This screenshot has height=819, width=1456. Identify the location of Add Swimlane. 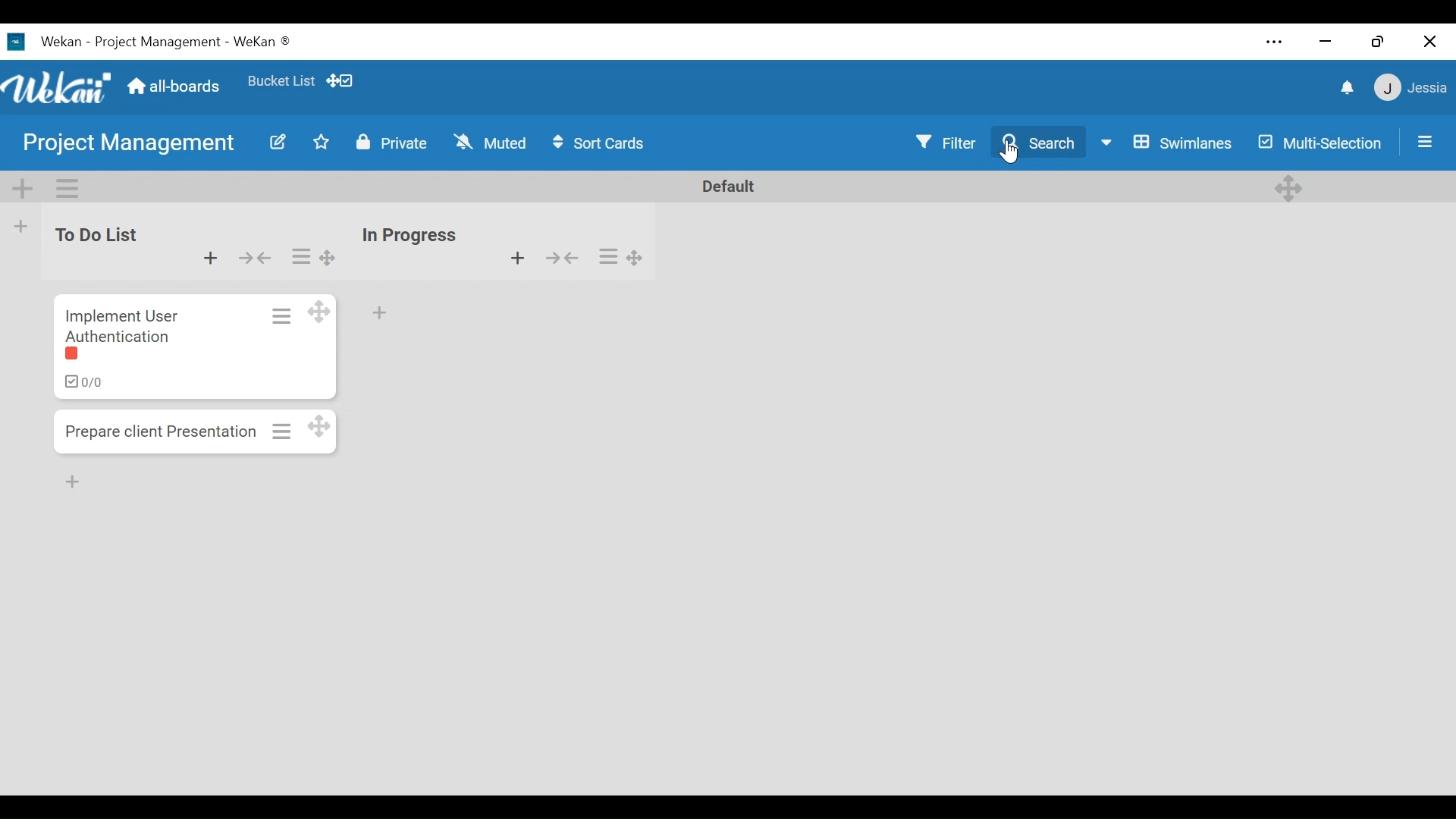
(22, 189).